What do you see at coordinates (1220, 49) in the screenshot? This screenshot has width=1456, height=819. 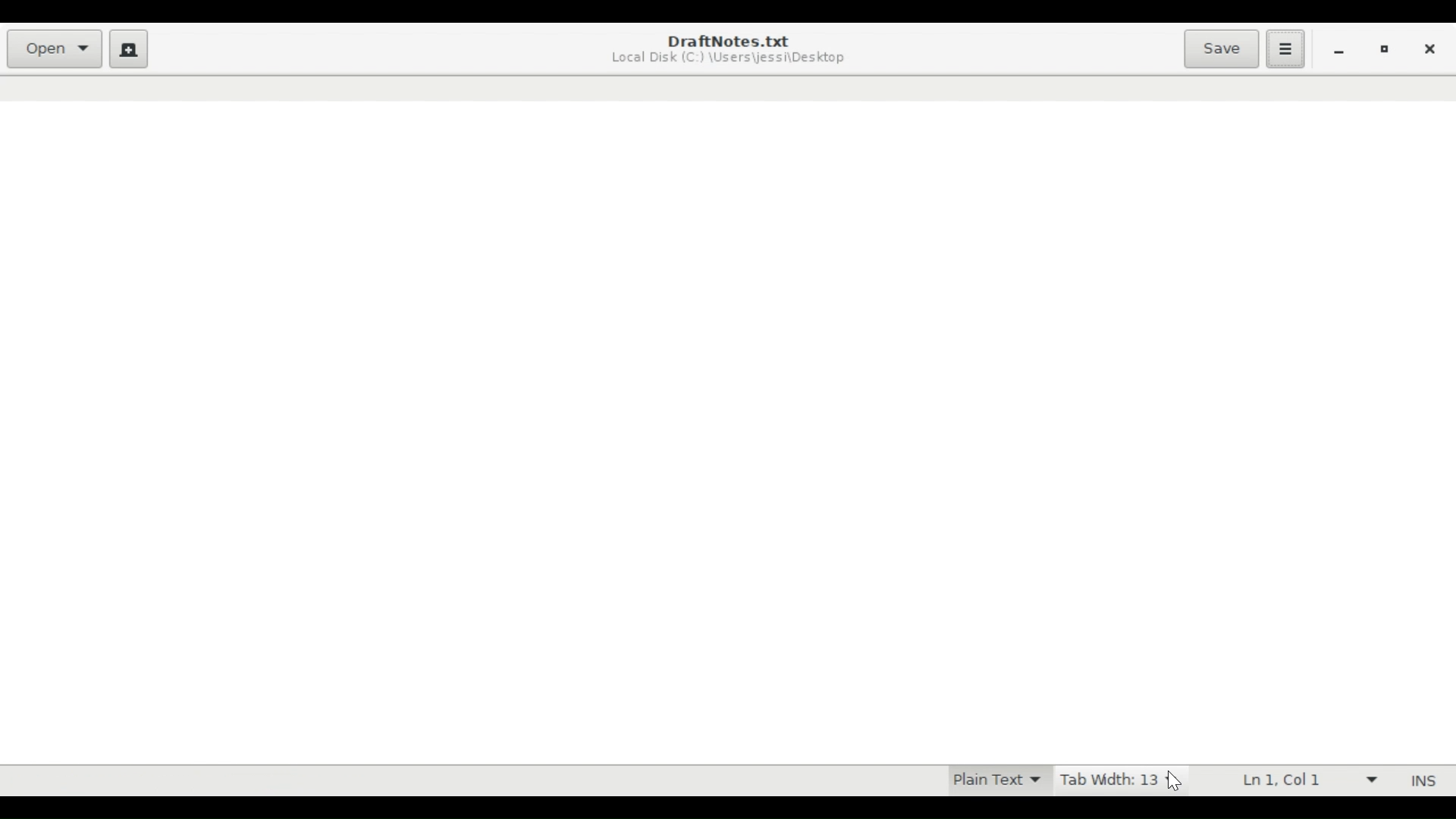 I see `Save` at bounding box center [1220, 49].